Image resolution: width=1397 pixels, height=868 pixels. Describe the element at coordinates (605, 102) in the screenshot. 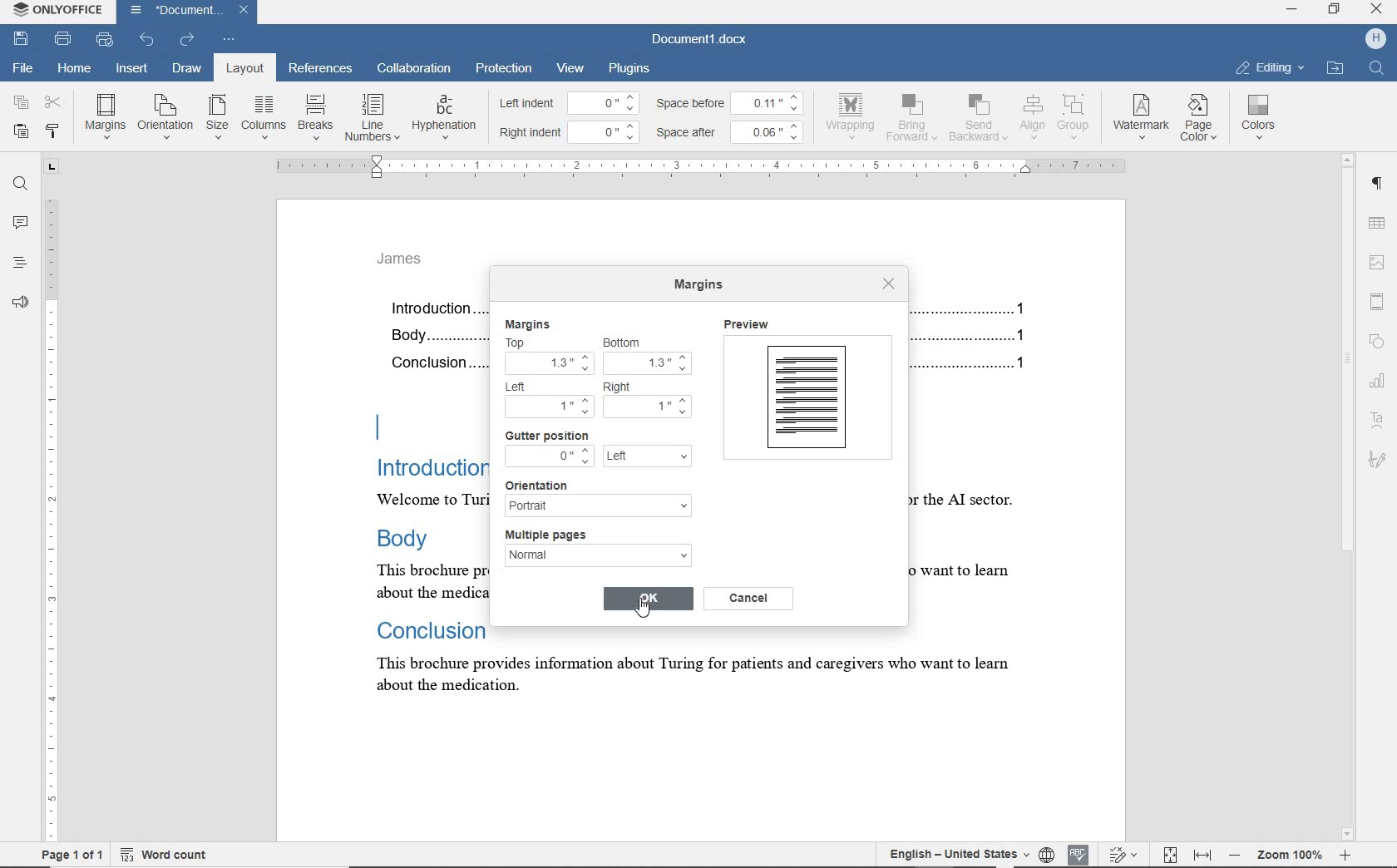

I see `0` at that location.